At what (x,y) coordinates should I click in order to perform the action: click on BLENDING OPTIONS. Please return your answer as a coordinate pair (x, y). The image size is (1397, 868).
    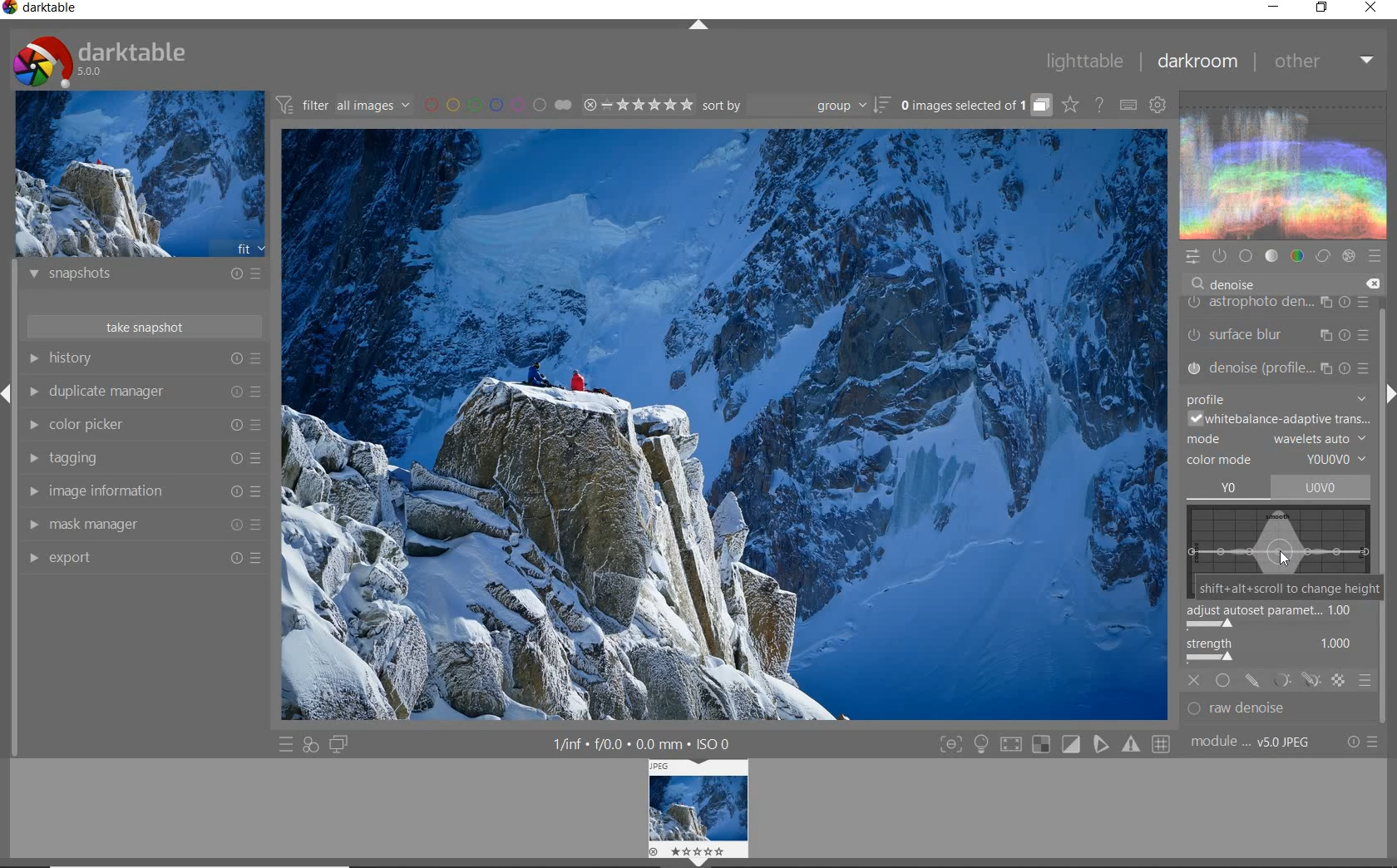
    Looking at the image, I should click on (1365, 681).